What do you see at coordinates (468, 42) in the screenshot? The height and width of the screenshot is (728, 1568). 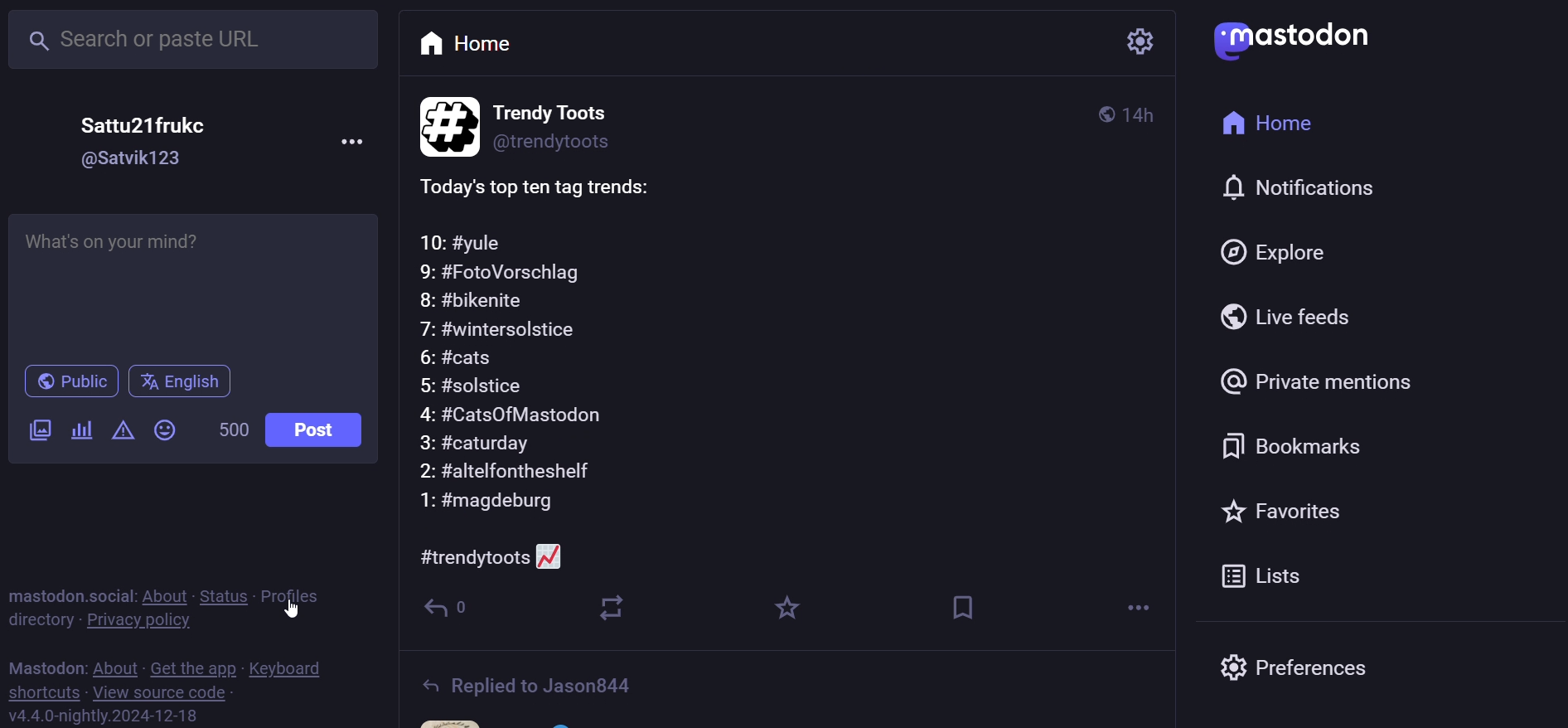 I see `home` at bounding box center [468, 42].